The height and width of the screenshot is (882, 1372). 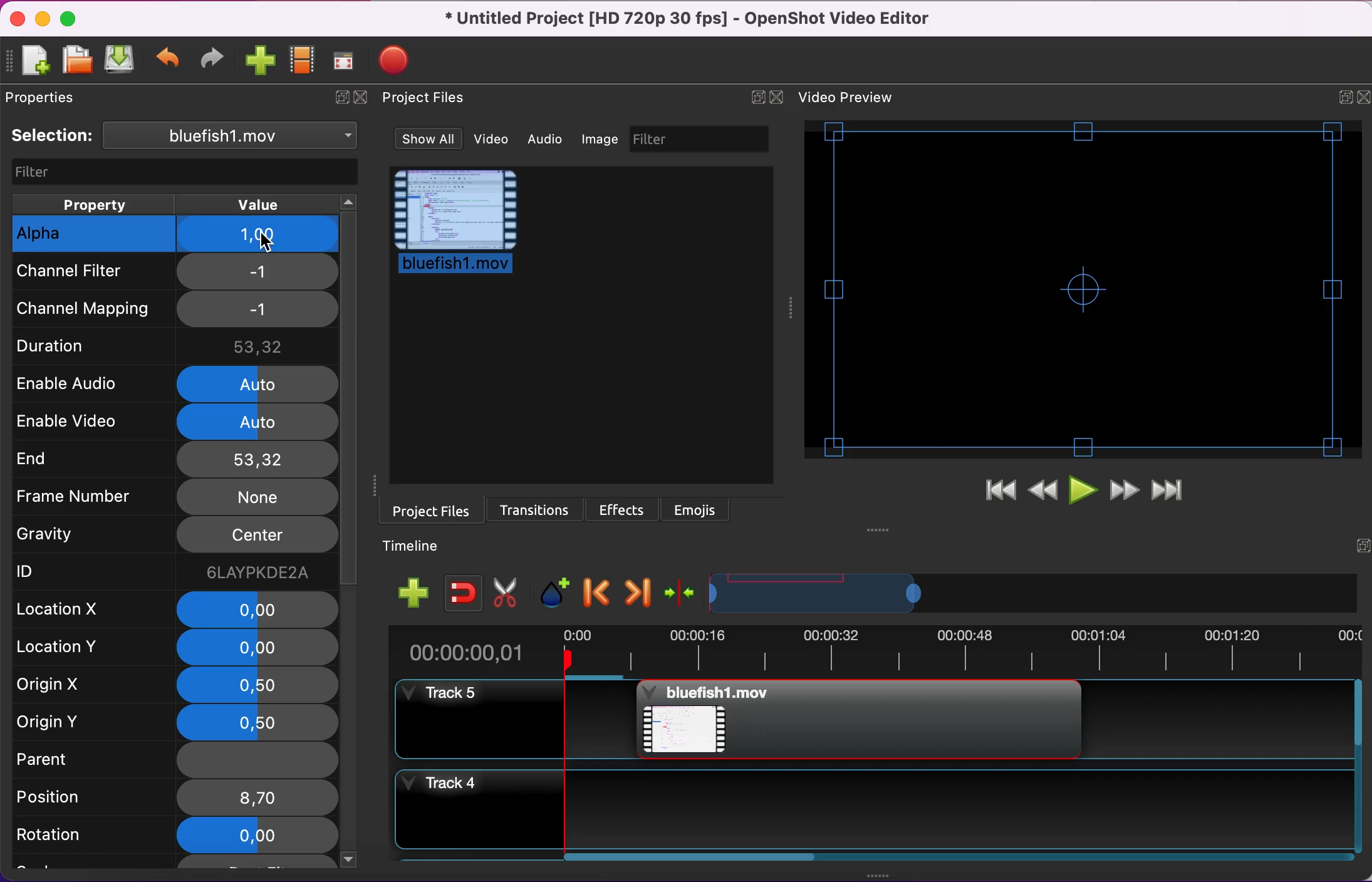 What do you see at coordinates (90, 498) in the screenshot?
I see `frame number` at bounding box center [90, 498].